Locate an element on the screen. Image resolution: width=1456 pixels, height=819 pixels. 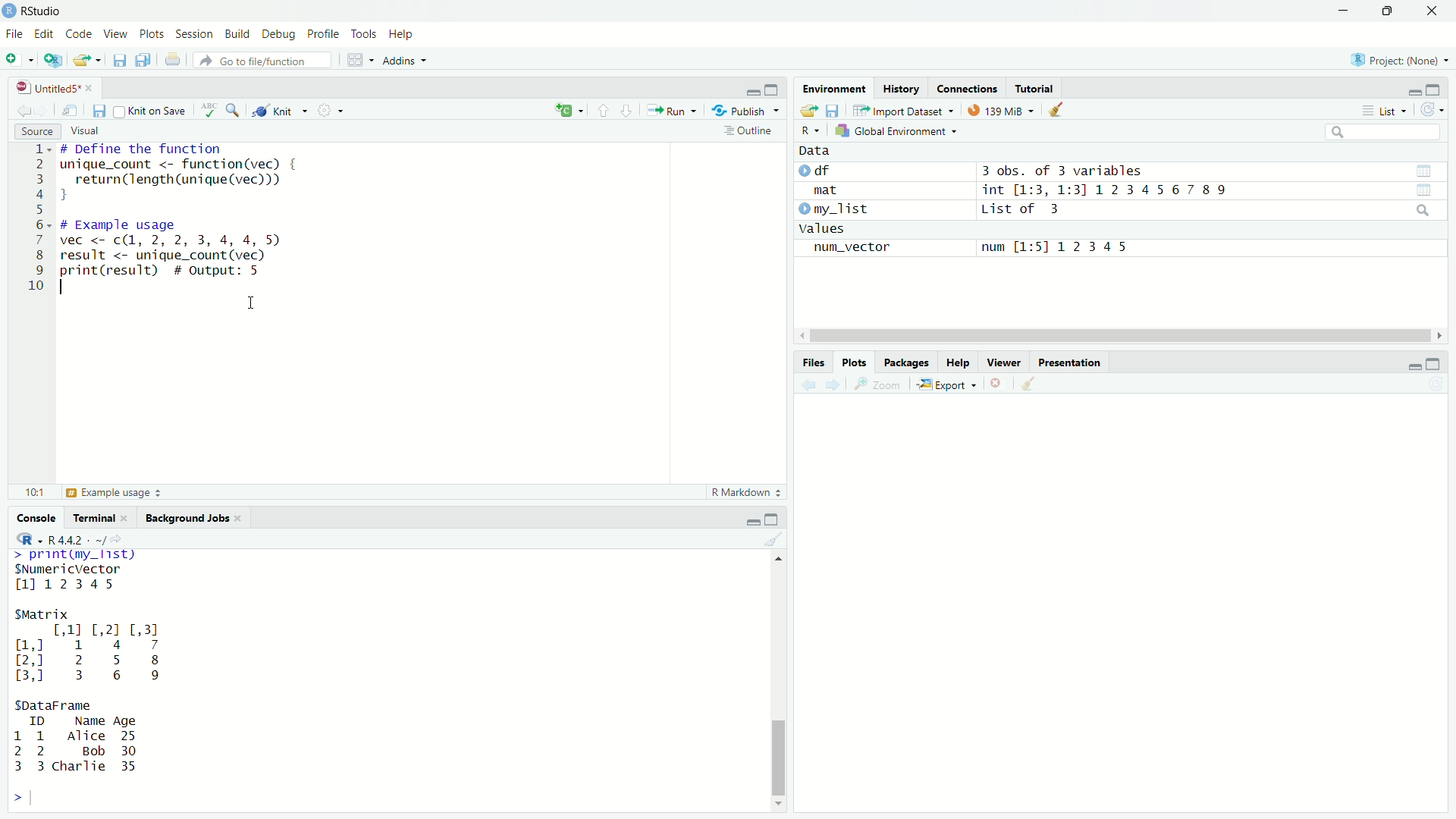
Session is located at coordinates (195, 33).